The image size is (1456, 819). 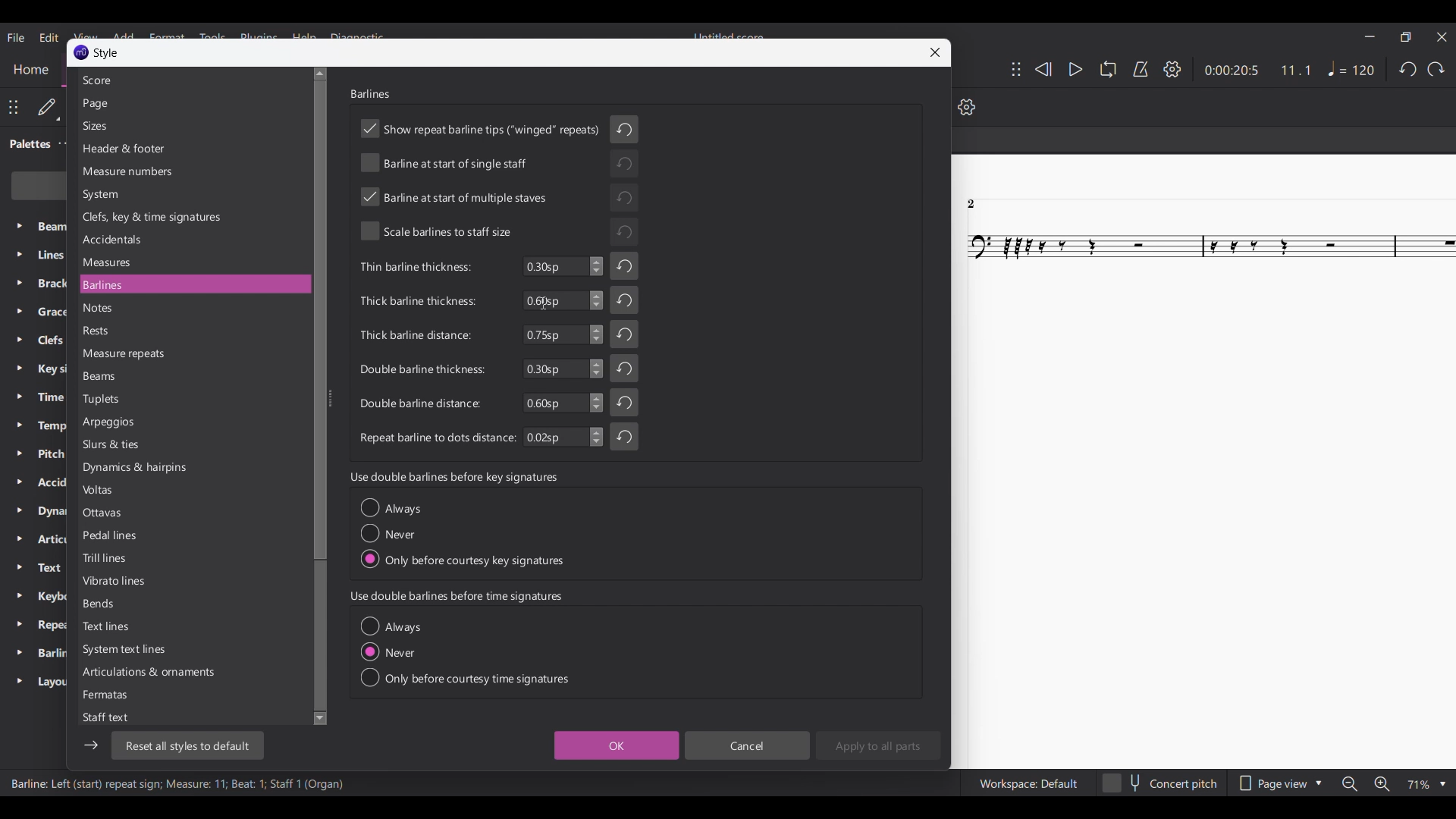 I want to click on Section title, so click(x=457, y=597).